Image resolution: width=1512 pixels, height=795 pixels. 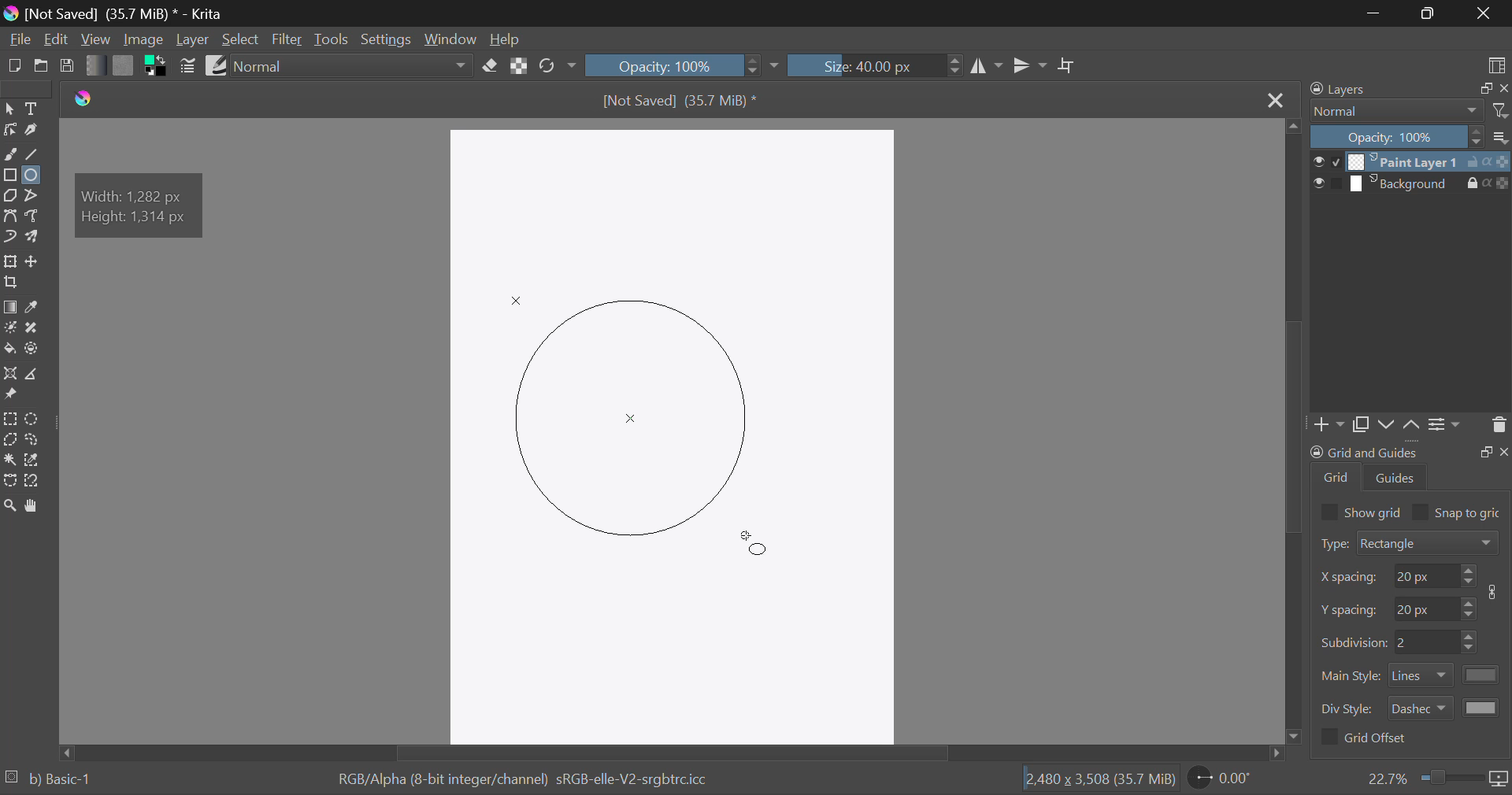 I want to click on Brush Presets, so click(x=217, y=65).